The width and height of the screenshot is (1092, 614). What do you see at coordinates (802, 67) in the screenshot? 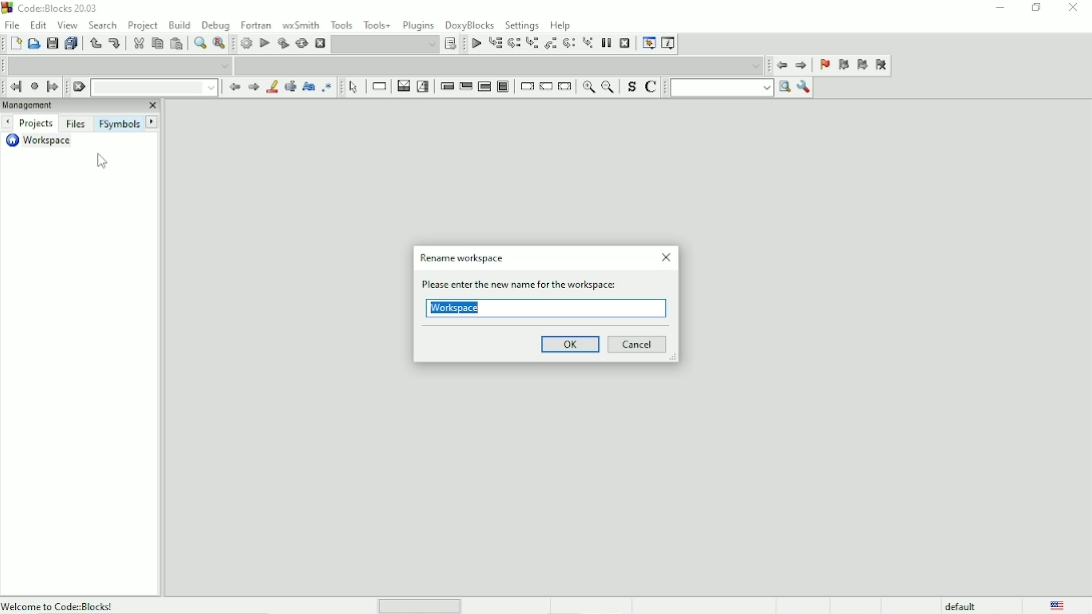
I see `Jump forward` at bounding box center [802, 67].